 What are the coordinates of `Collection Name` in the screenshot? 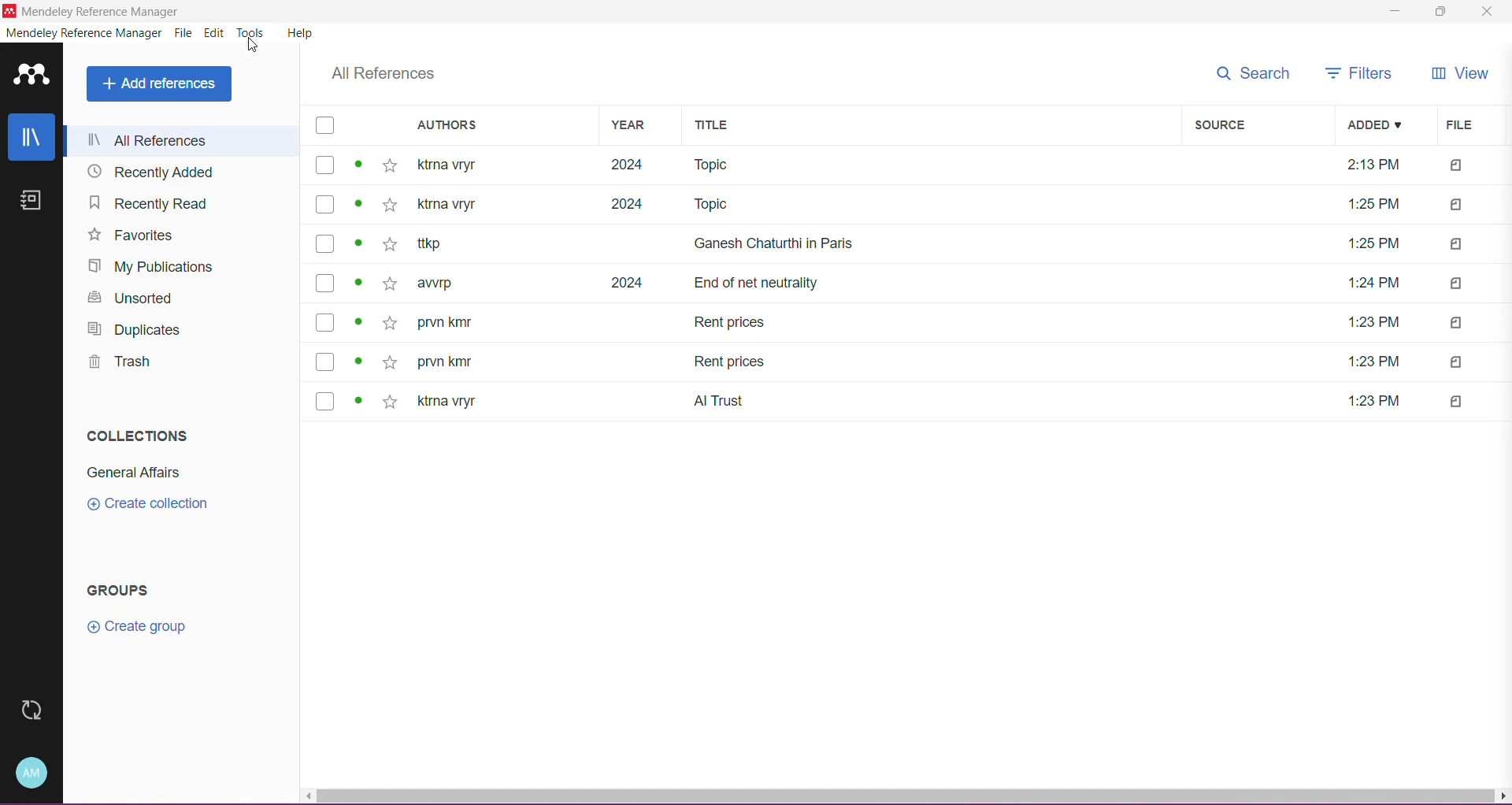 It's located at (132, 474).